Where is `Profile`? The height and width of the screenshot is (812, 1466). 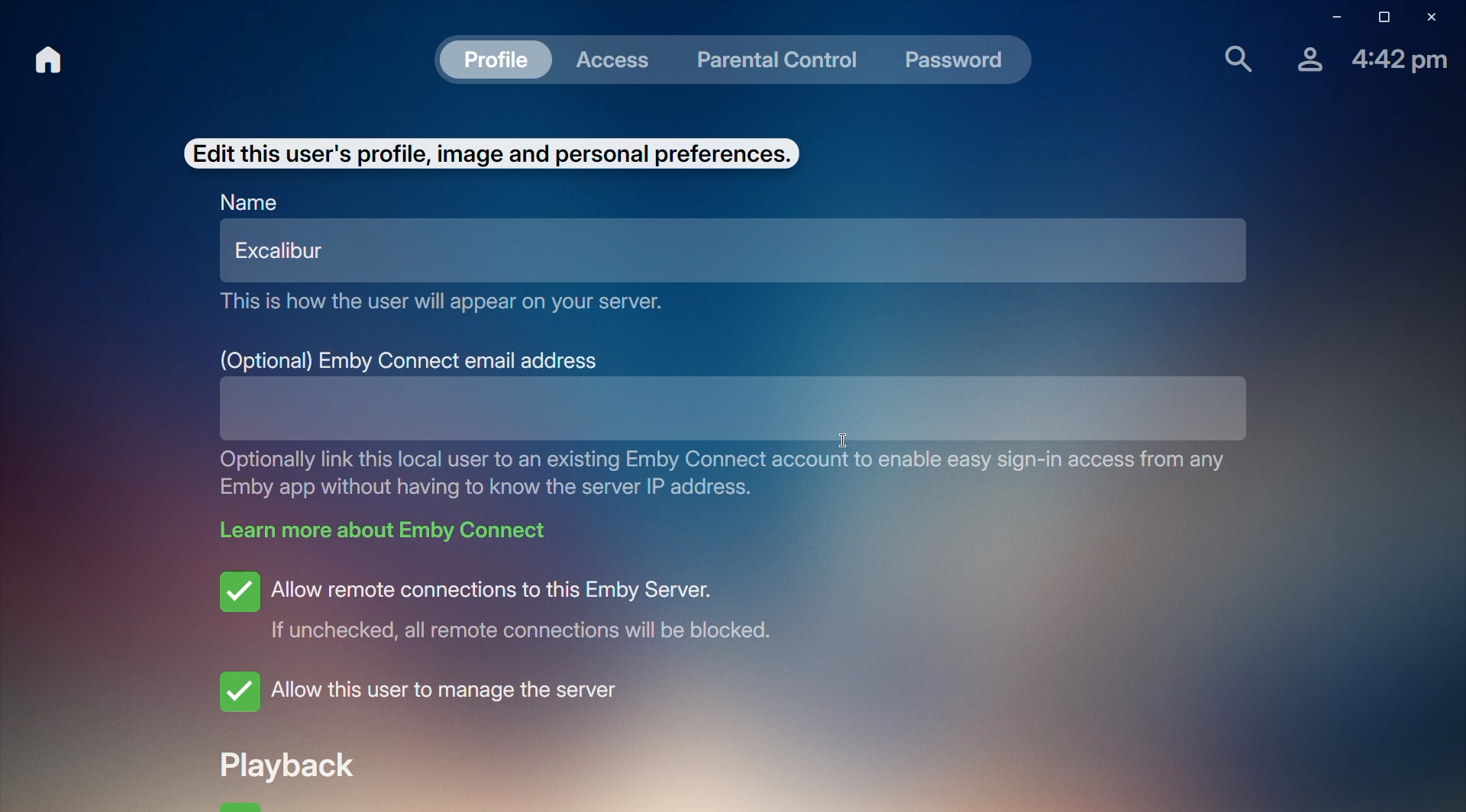
Profile is located at coordinates (1305, 59).